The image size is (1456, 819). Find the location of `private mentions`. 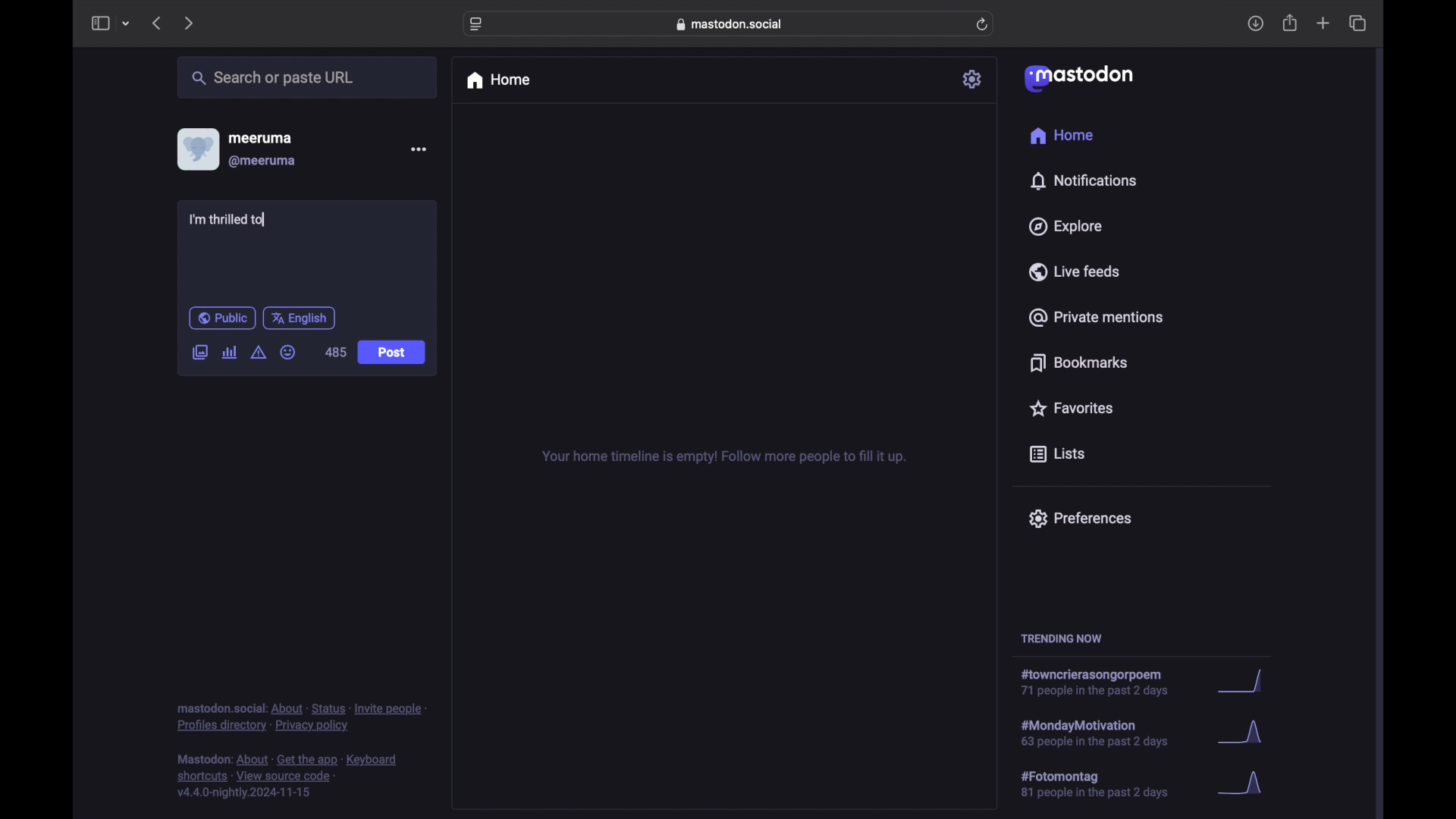

private mentions is located at coordinates (1095, 317).